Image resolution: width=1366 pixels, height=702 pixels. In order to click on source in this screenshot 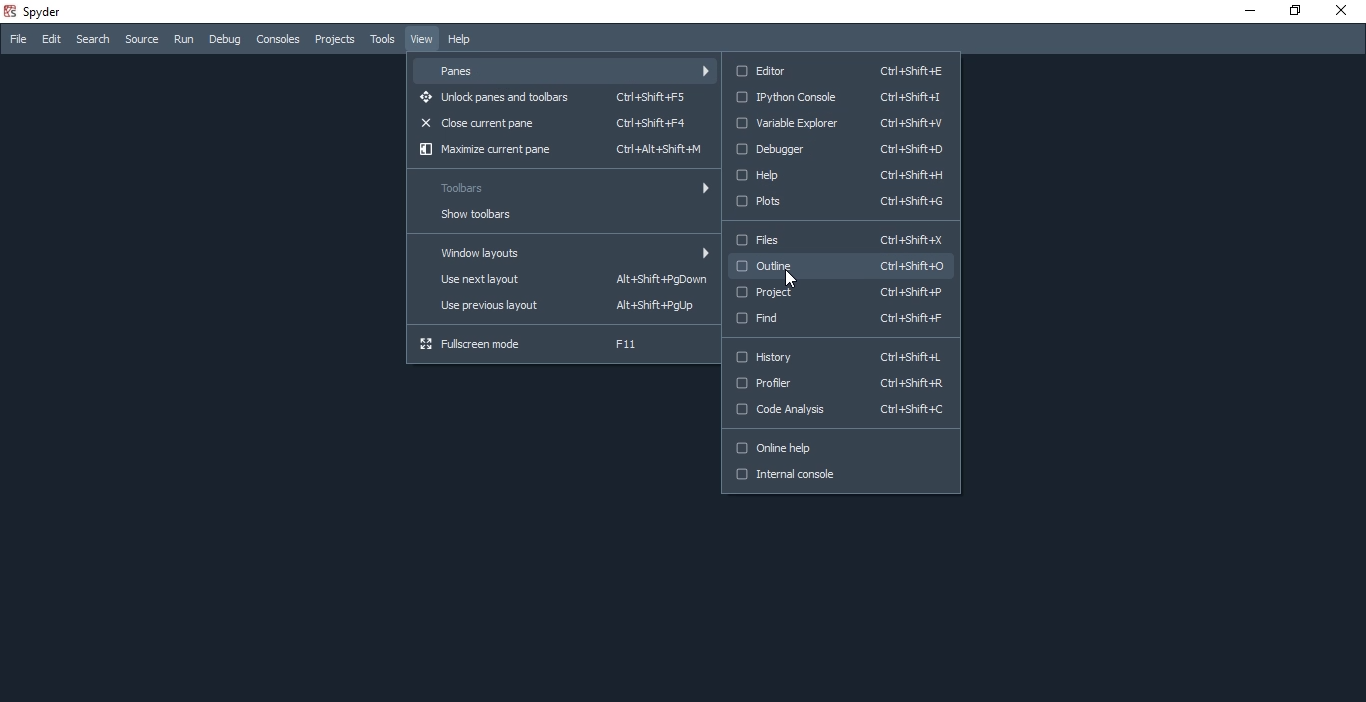, I will do `click(143, 41)`.